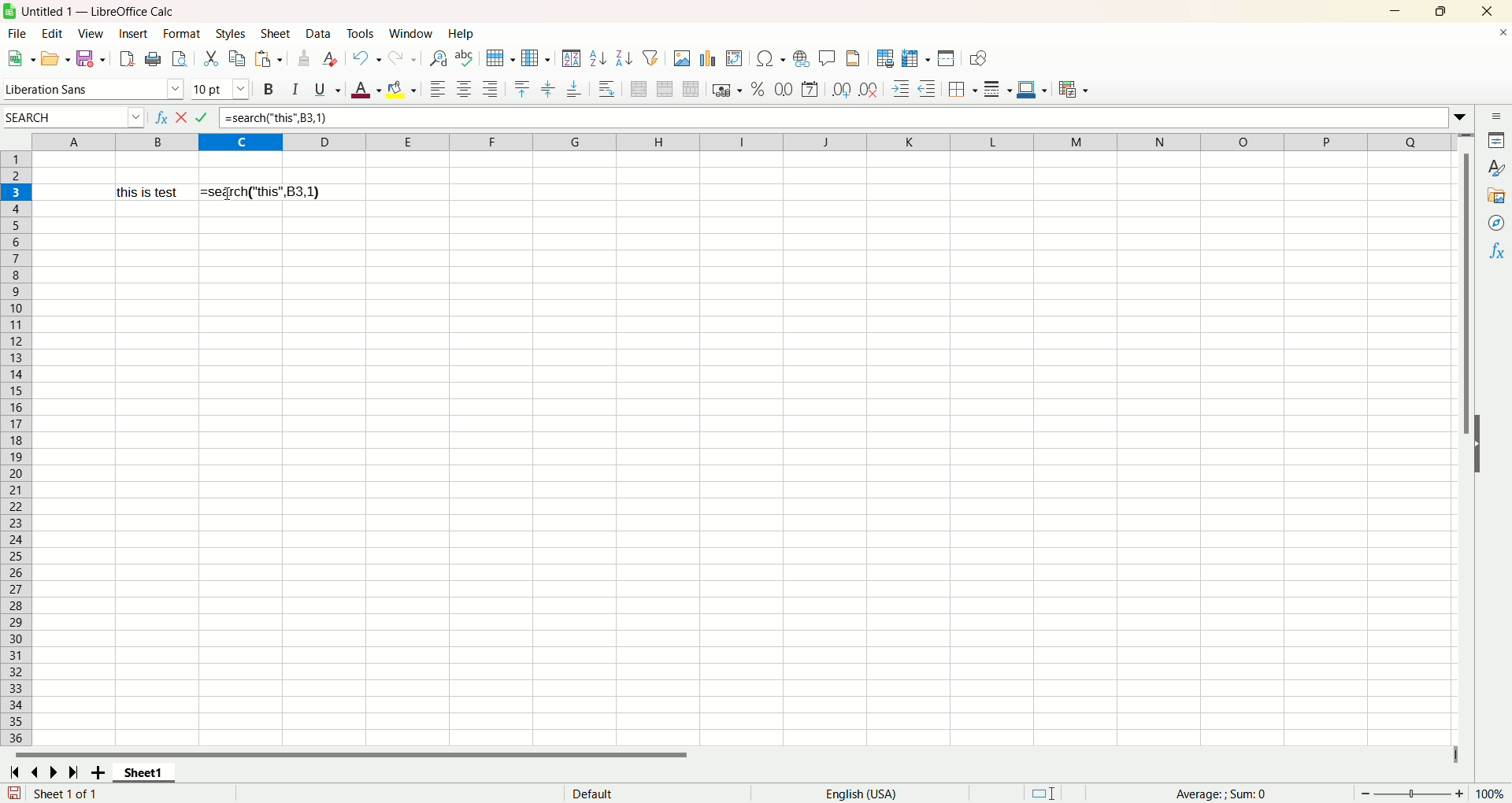 The width and height of the screenshot is (1512, 803). What do you see at coordinates (535, 57) in the screenshot?
I see `column` at bounding box center [535, 57].